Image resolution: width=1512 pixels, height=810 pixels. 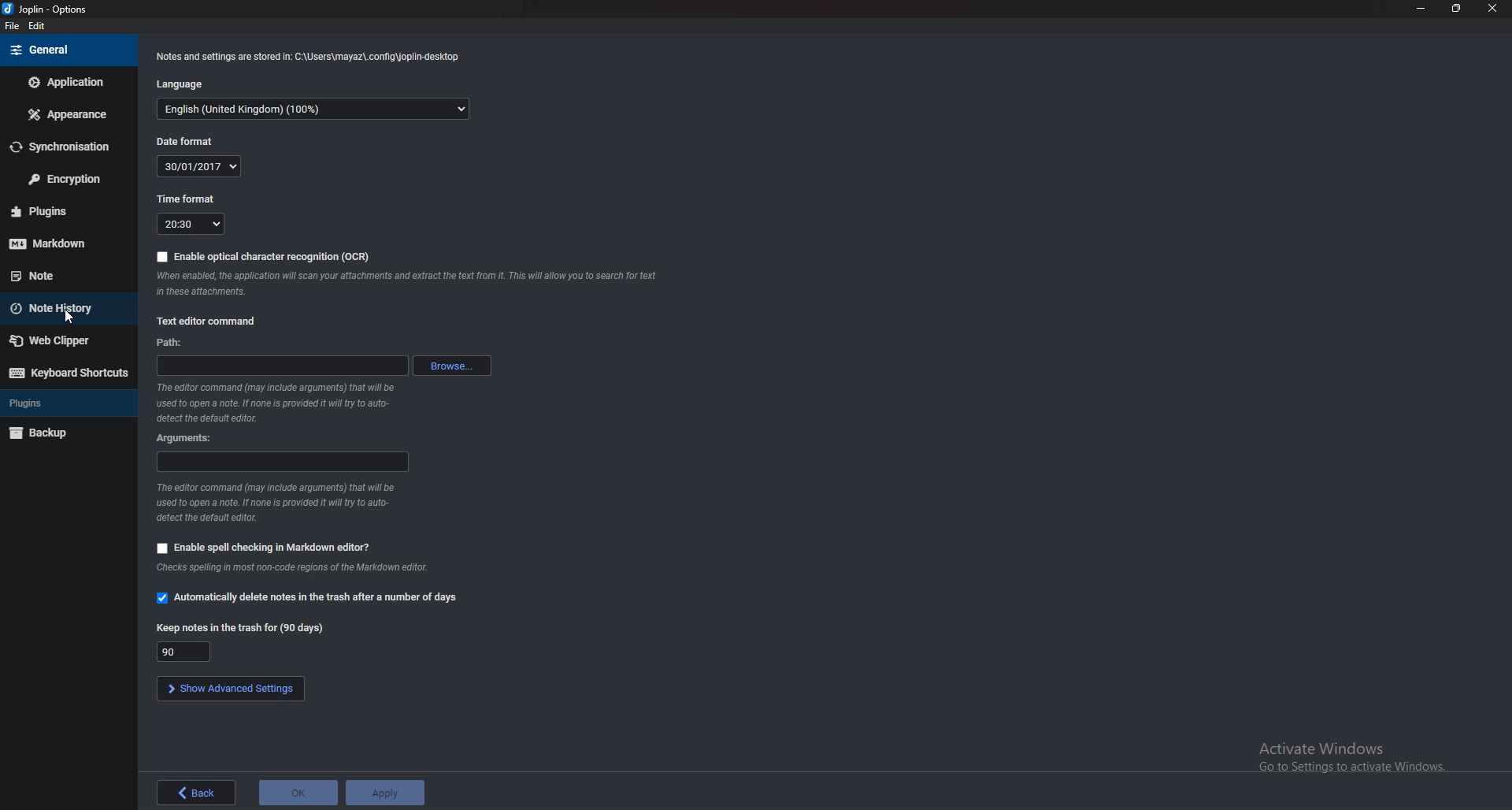 What do you see at coordinates (283, 502) in the screenshot?
I see `info` at bounding box center [283, 502].